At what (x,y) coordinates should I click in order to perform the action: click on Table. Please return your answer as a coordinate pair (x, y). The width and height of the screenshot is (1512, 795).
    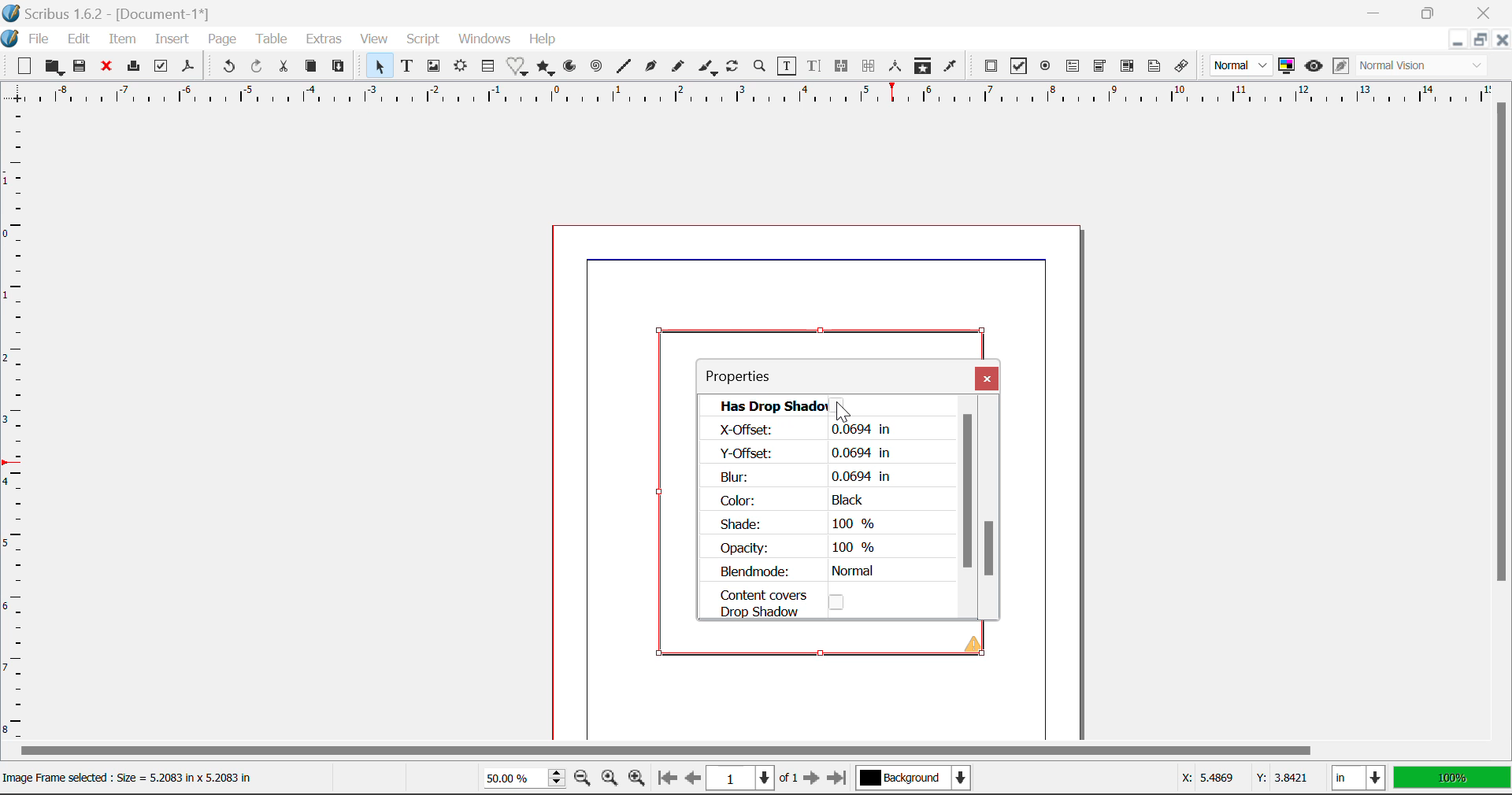
    Looking at the image, I should click on (273, 39).